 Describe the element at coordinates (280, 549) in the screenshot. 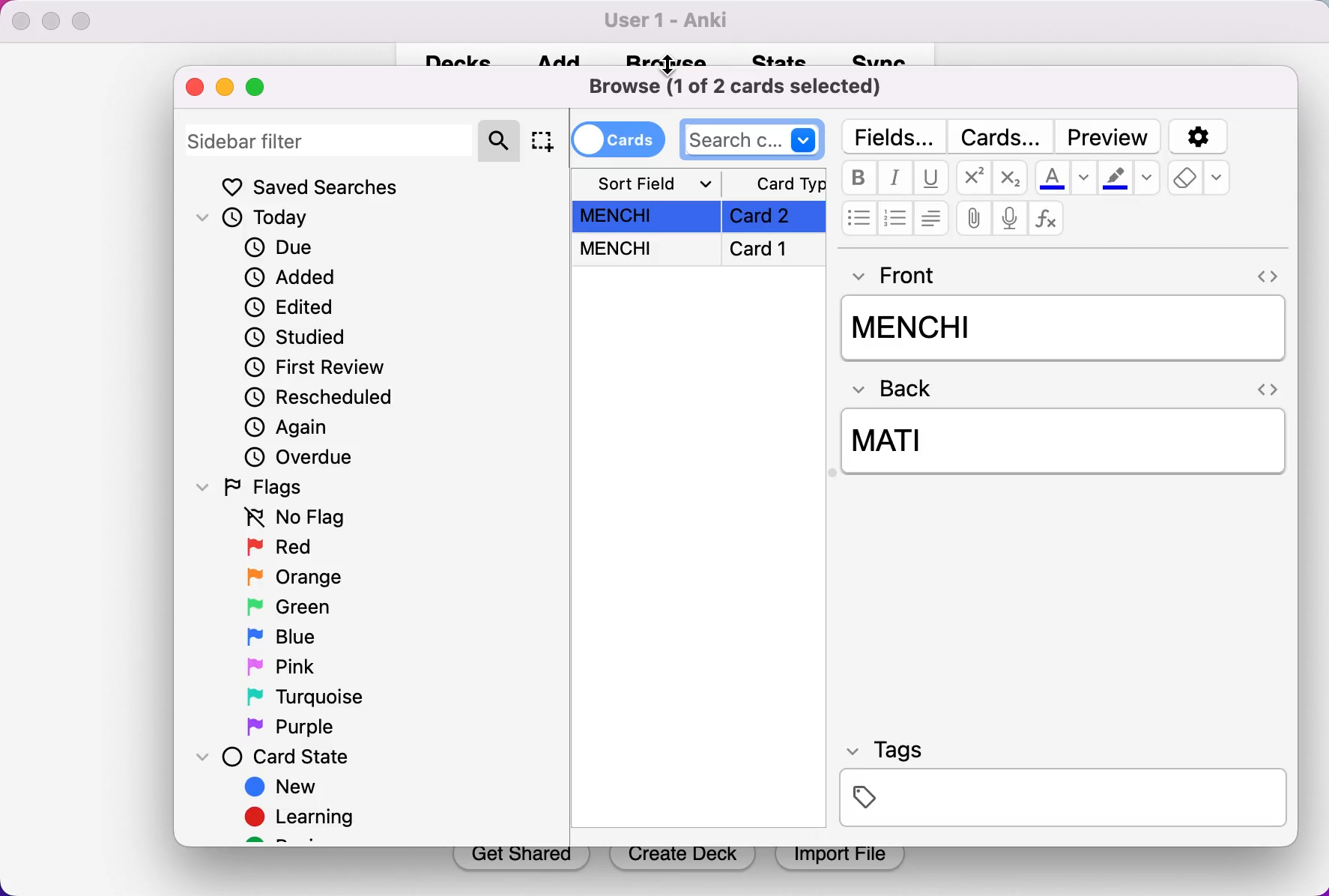

I see `red` at that location.